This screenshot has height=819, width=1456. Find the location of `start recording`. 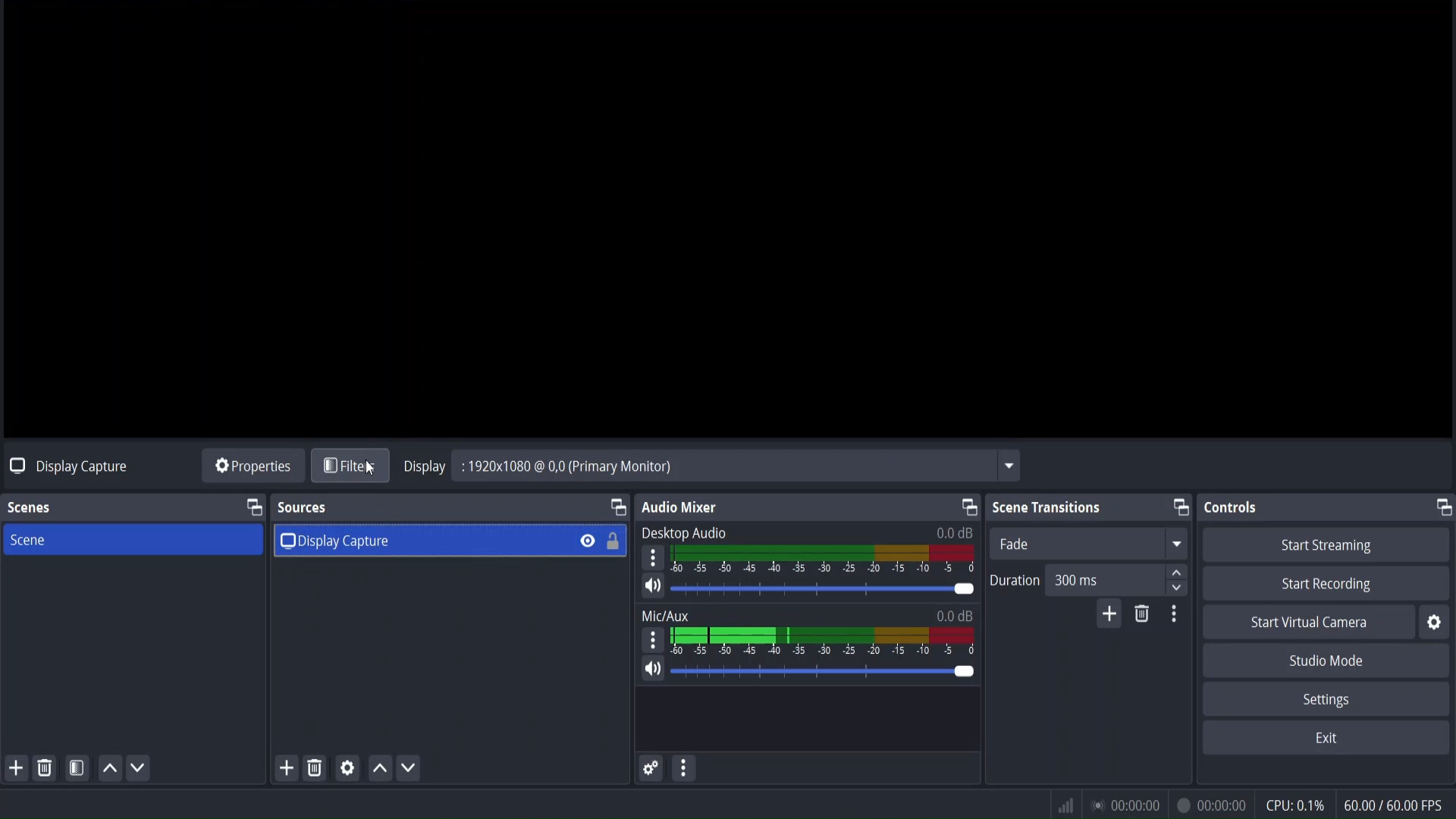

start recording is located at coordinates (1330, 585).